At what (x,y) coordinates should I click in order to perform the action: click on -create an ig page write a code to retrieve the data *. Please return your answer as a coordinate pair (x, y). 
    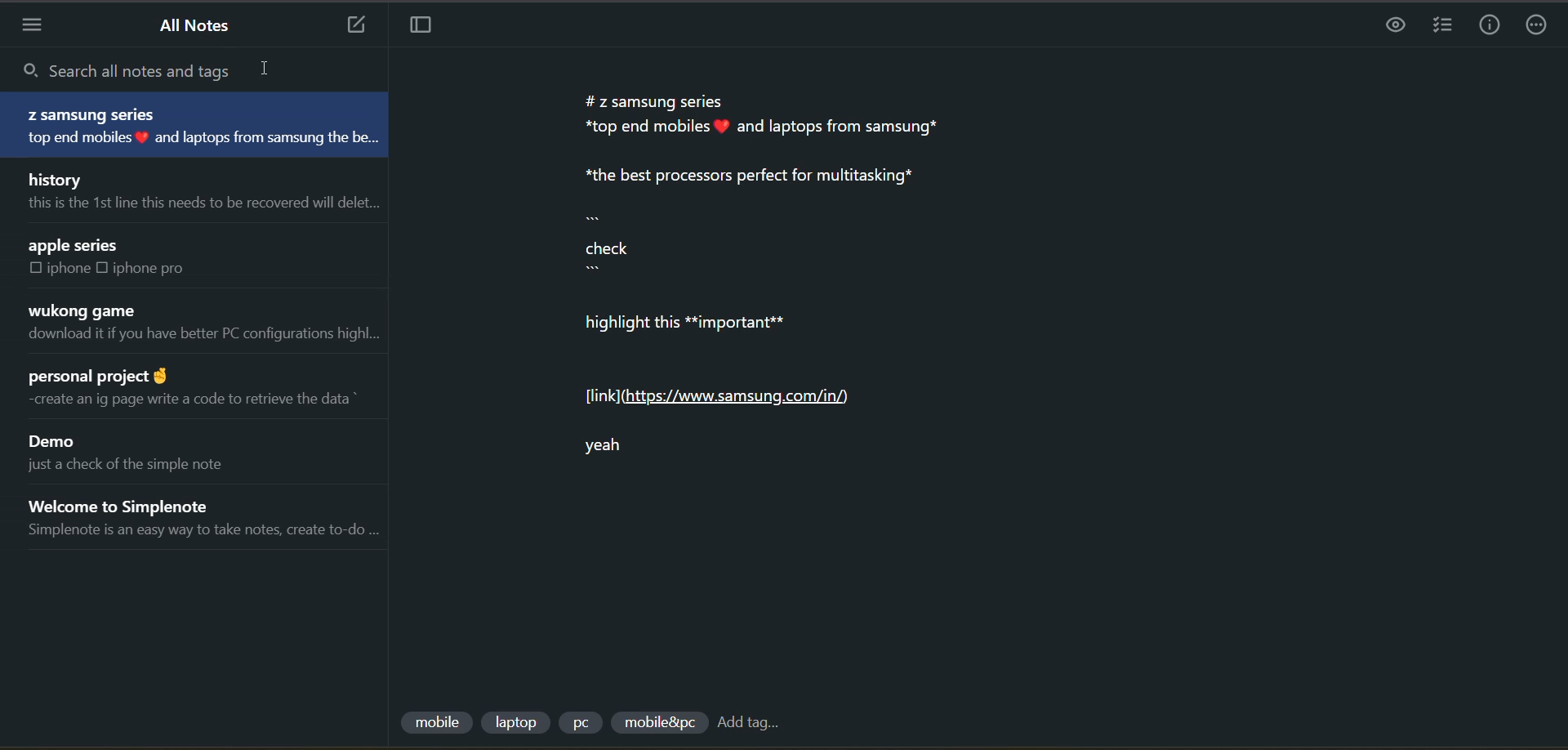
    Looking at the image, I should click on (204, 400).